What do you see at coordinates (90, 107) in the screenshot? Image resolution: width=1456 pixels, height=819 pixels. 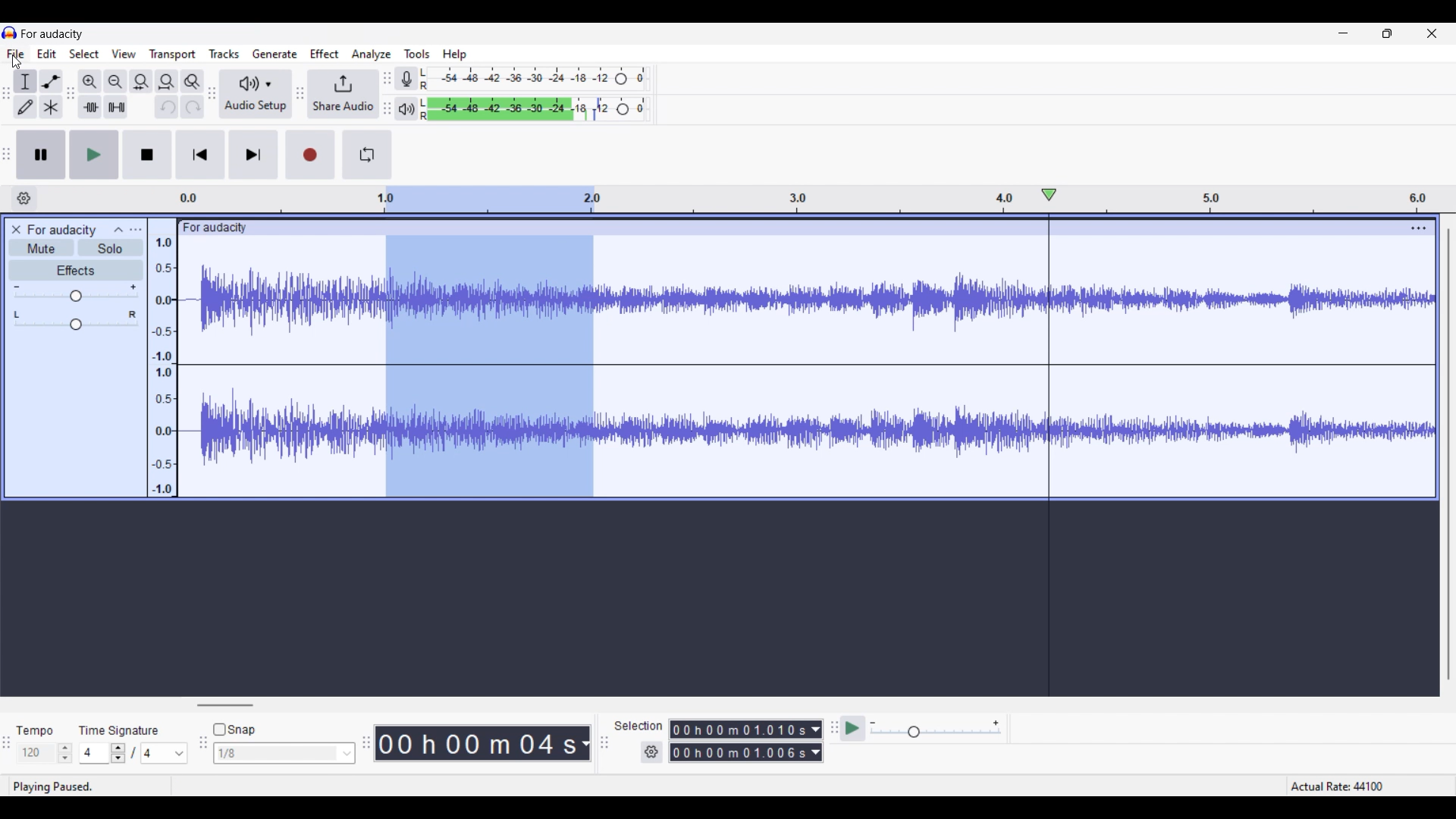 I see `Trim audio outside selection` at bounding box center [90, 107].